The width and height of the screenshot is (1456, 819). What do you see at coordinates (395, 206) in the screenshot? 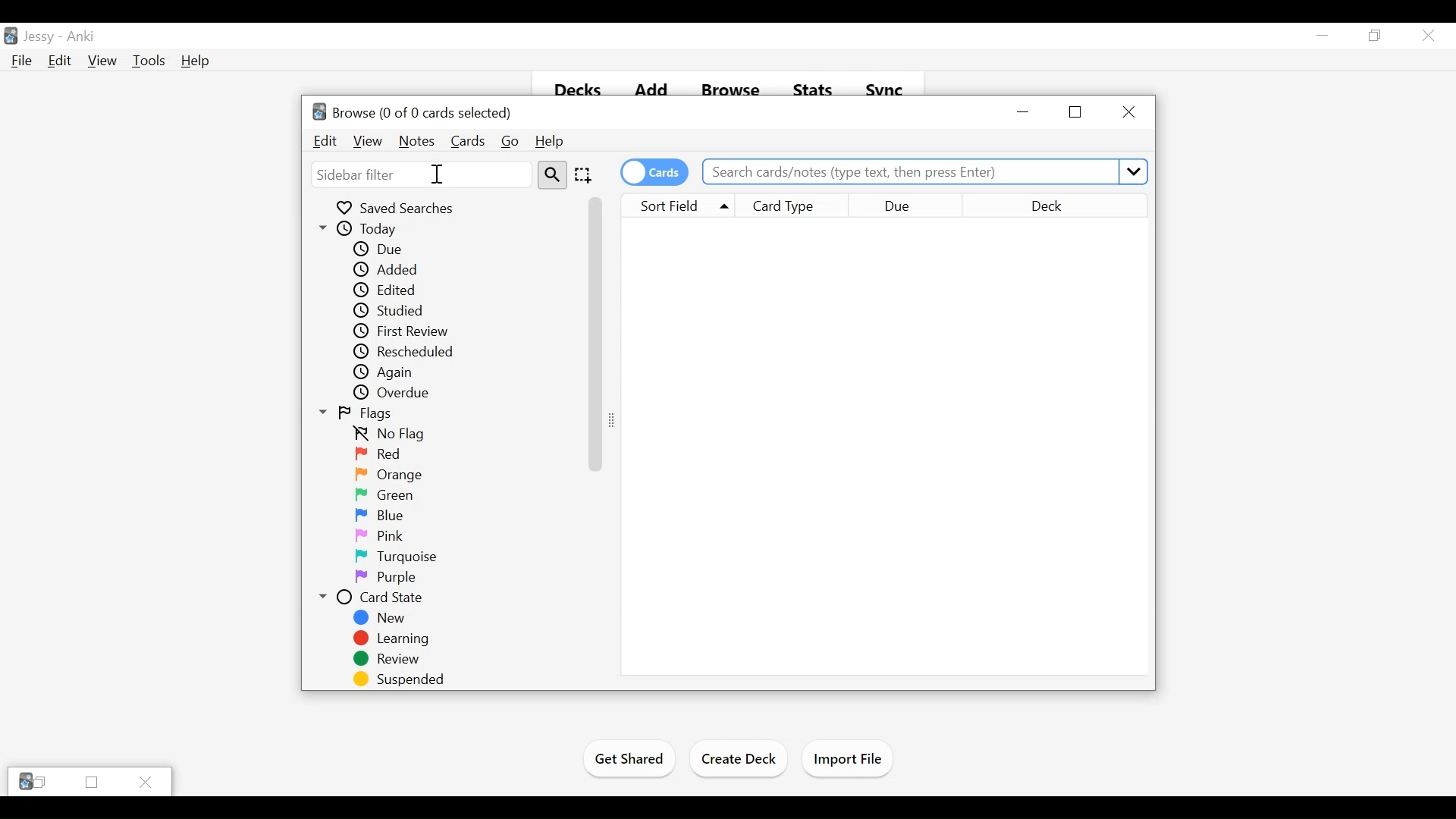
I see `Saved Searches` at bounding box center [395, 206].